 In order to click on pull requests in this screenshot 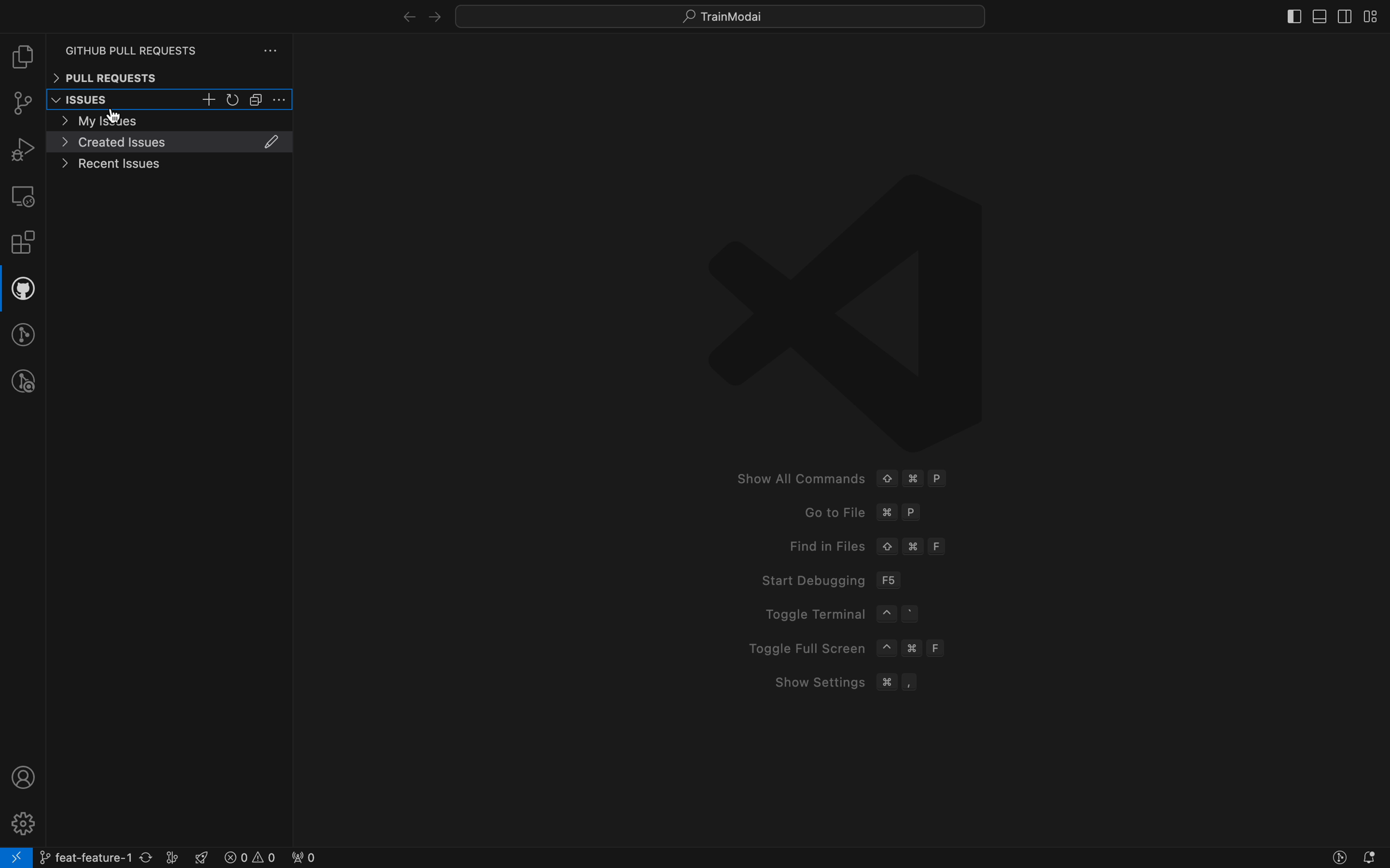, I will do `click(169, 77)`.